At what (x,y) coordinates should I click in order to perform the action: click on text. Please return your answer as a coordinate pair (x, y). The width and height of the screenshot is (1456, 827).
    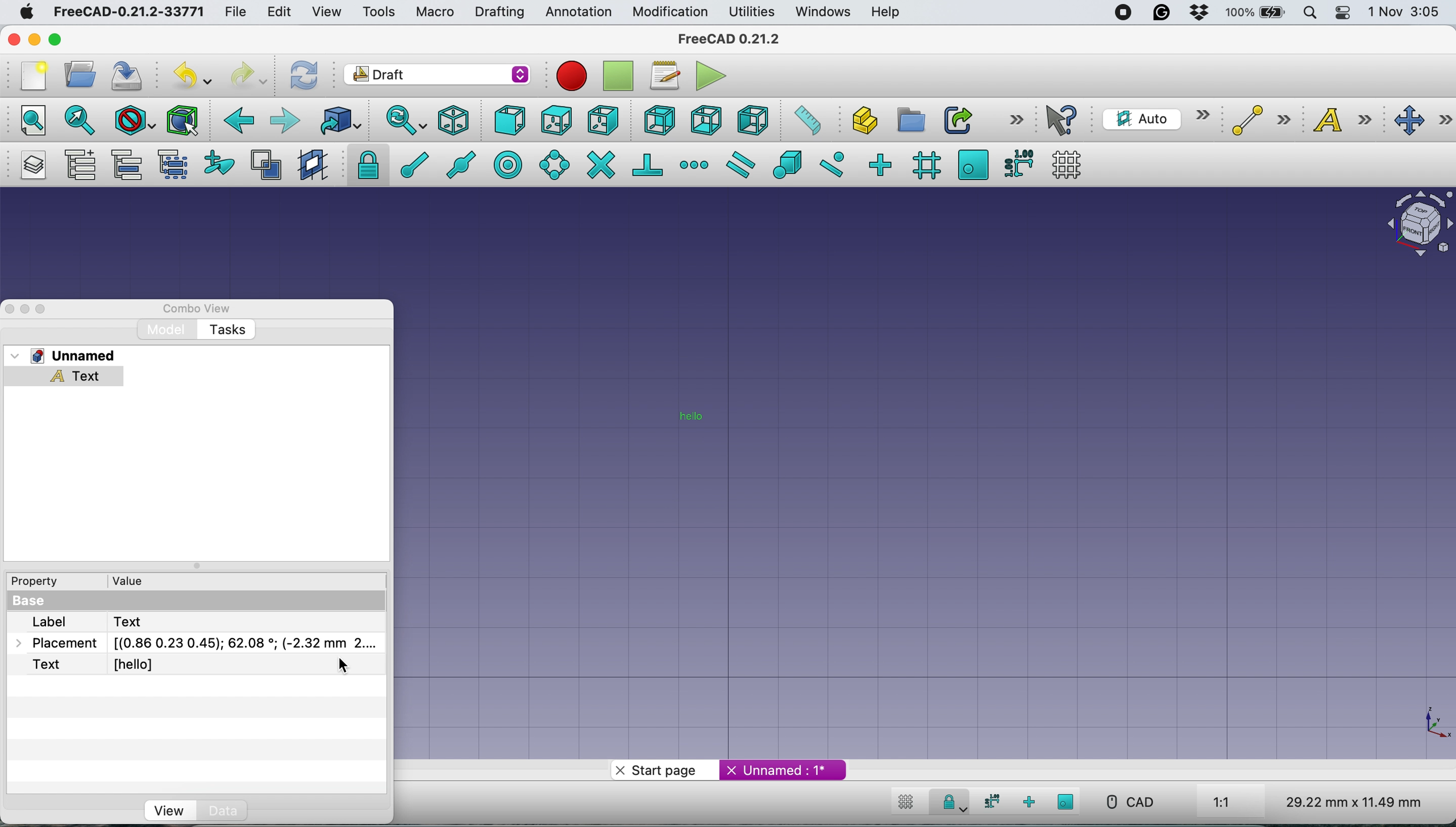
    Looking at the image, I should click on (107, 666).